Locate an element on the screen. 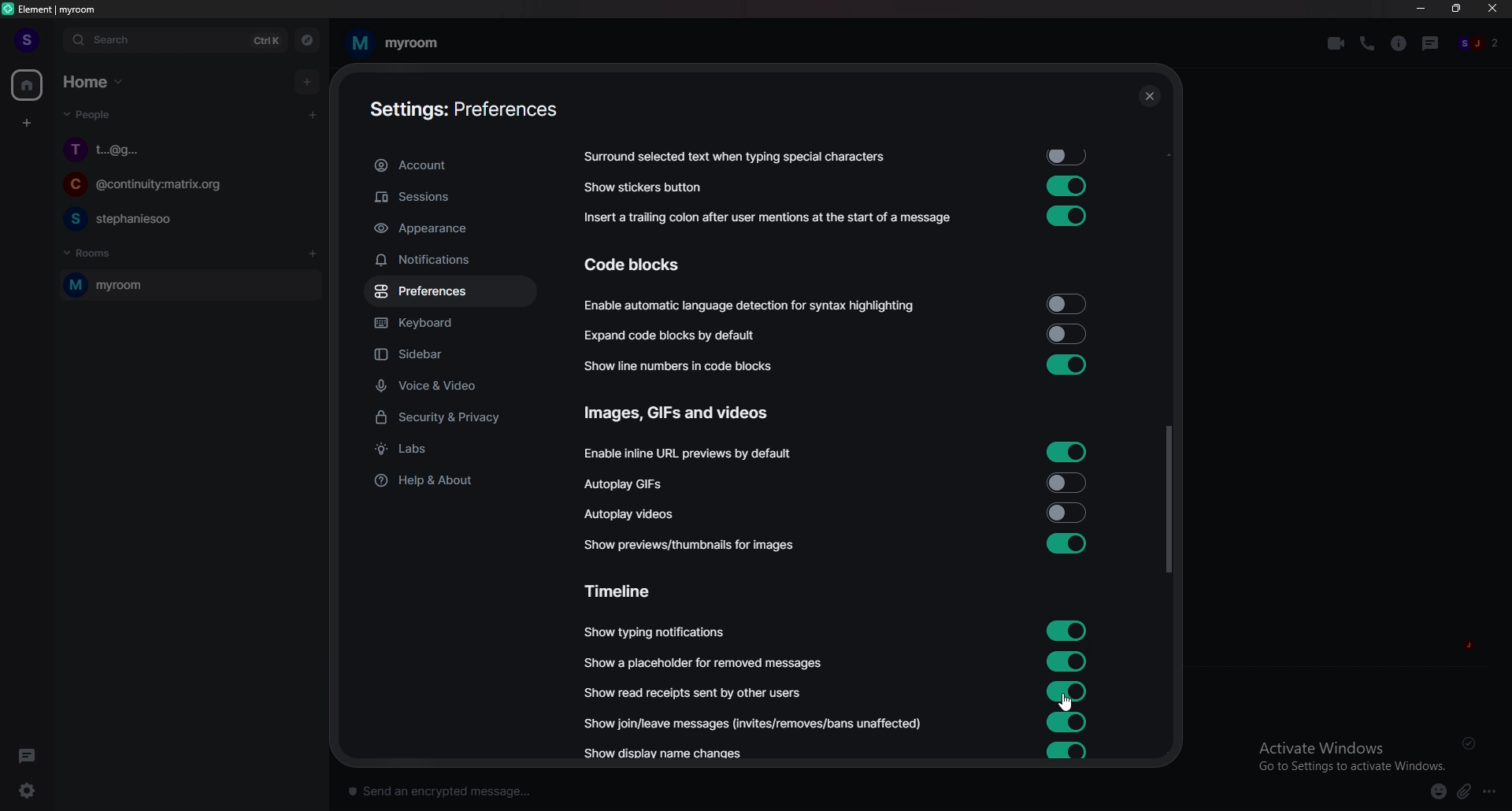 This screenshot has width=1512, height=811. show read rceipts send by other users is located at coordinates (695, 692).